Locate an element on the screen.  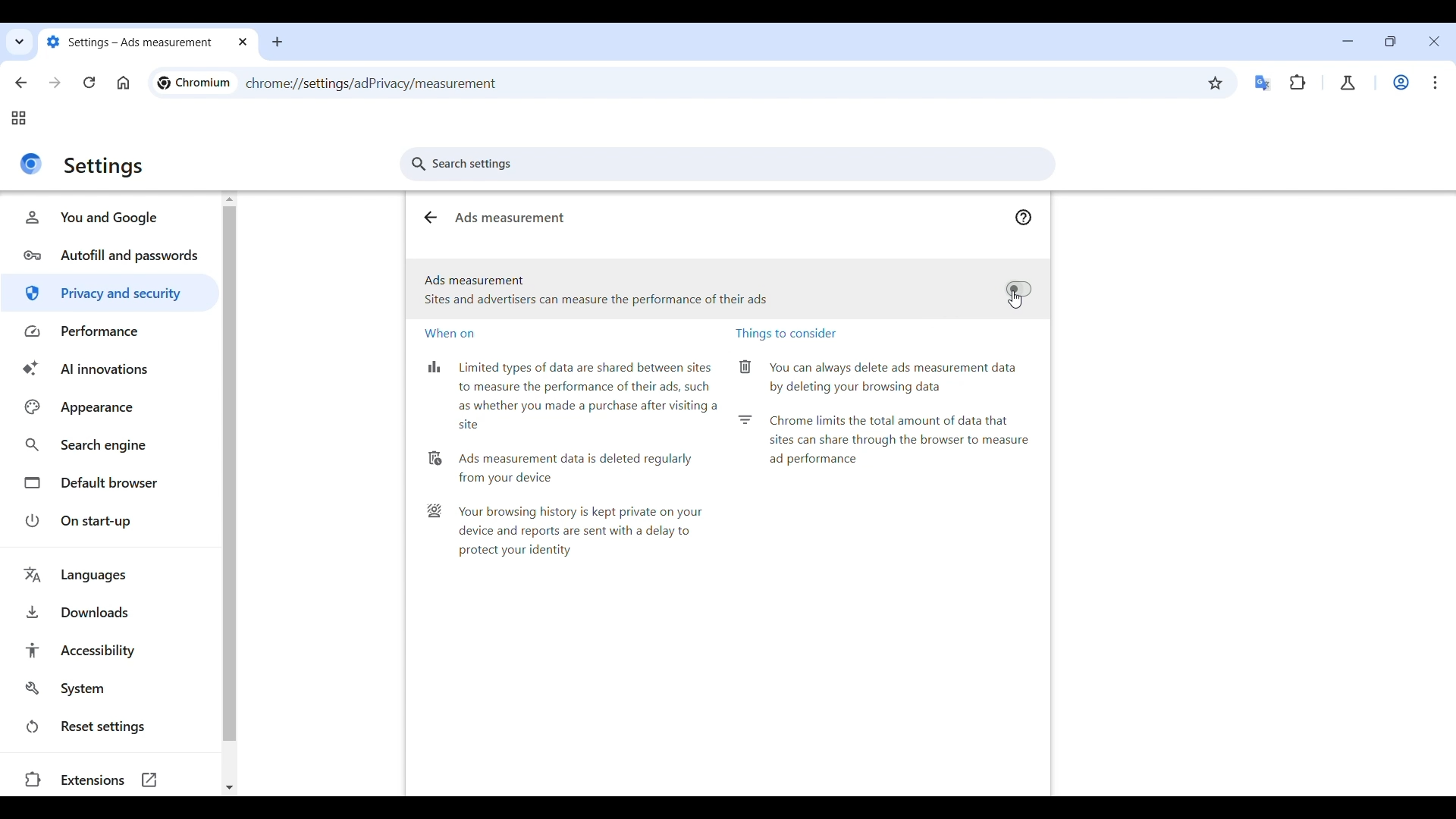
On start-up is located at coordinates (109, 520).